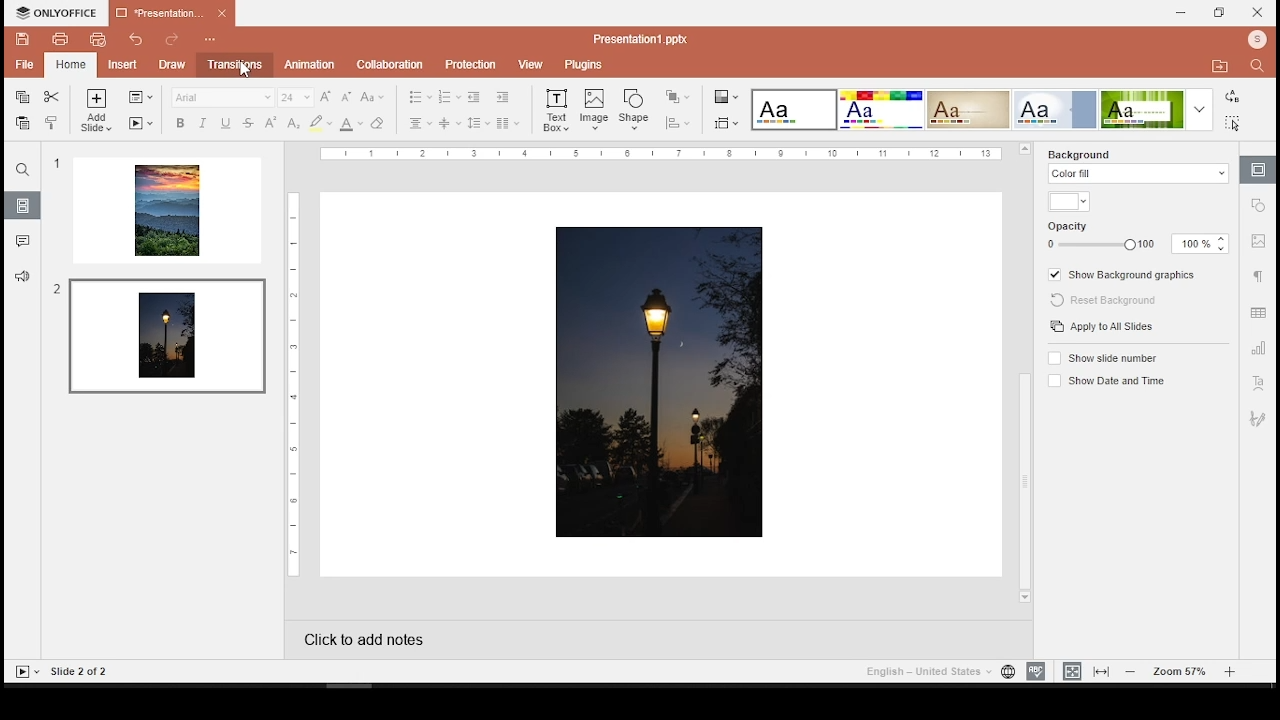 Image resolution: width=1280 pixels, height=720 pixels. Describe the element at coordinates (1079, 223) in the screenshot. I see `opacity` at that location.